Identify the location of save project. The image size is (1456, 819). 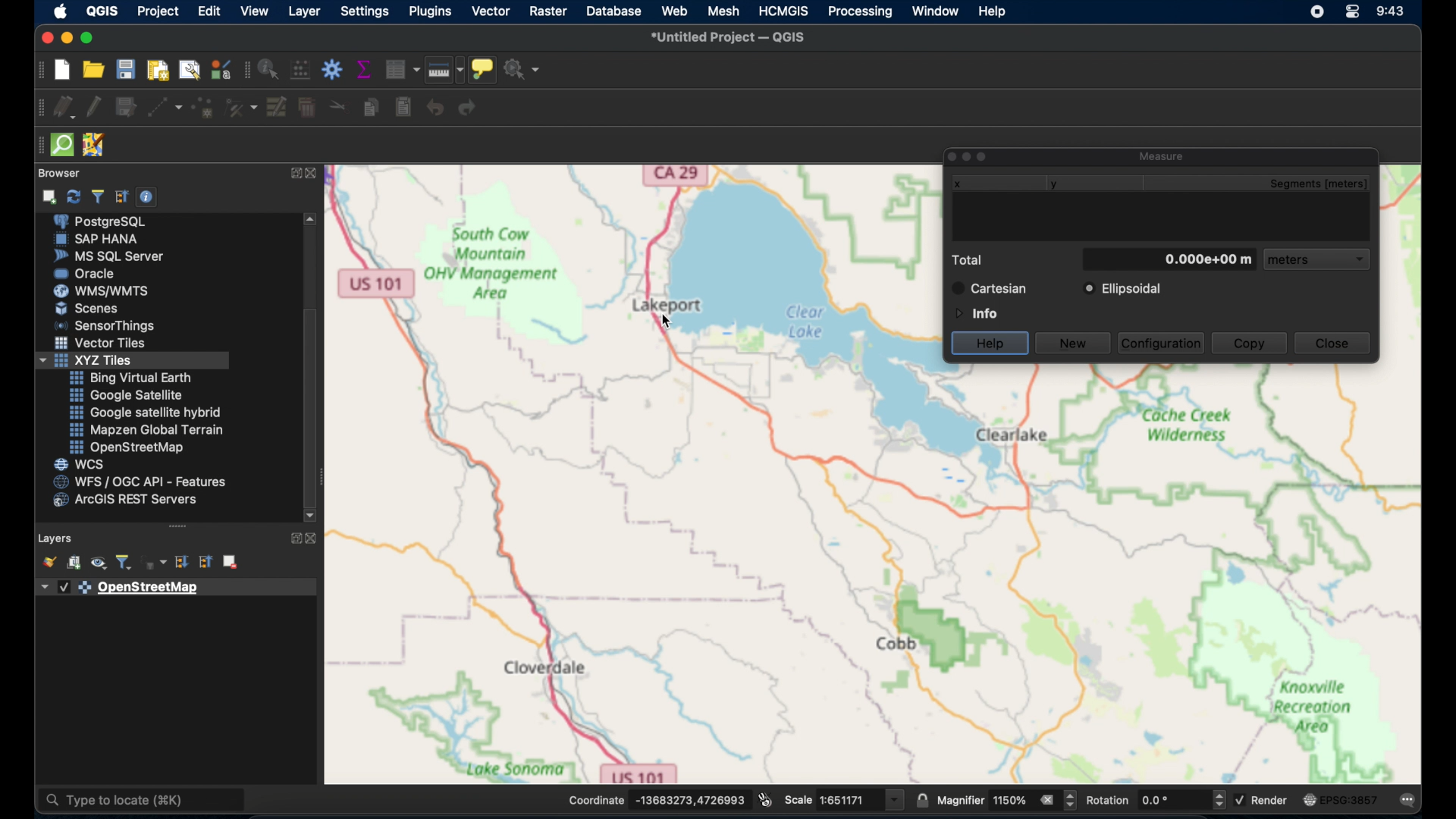
(128, 70).